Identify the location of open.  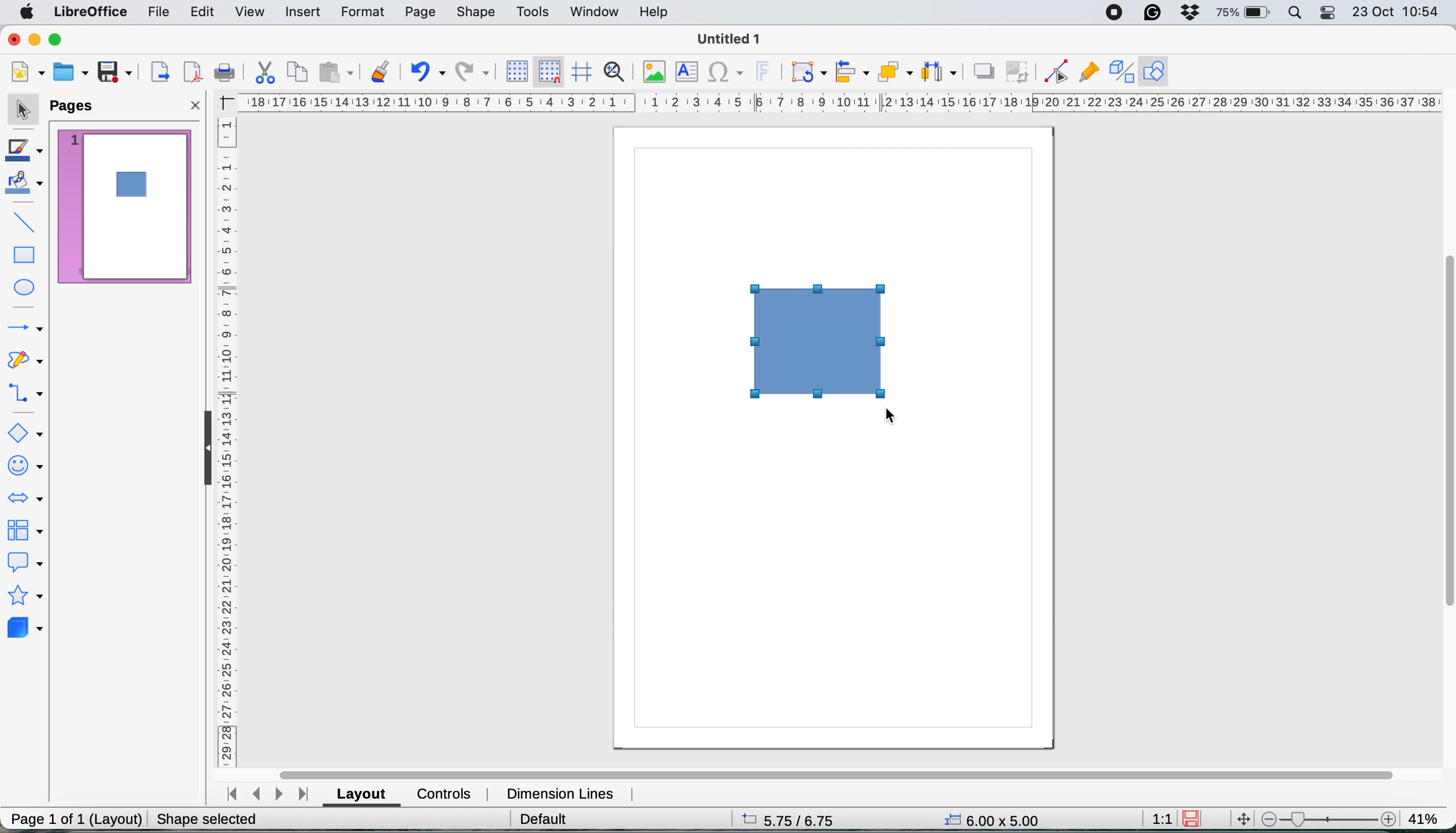
(70, 73).